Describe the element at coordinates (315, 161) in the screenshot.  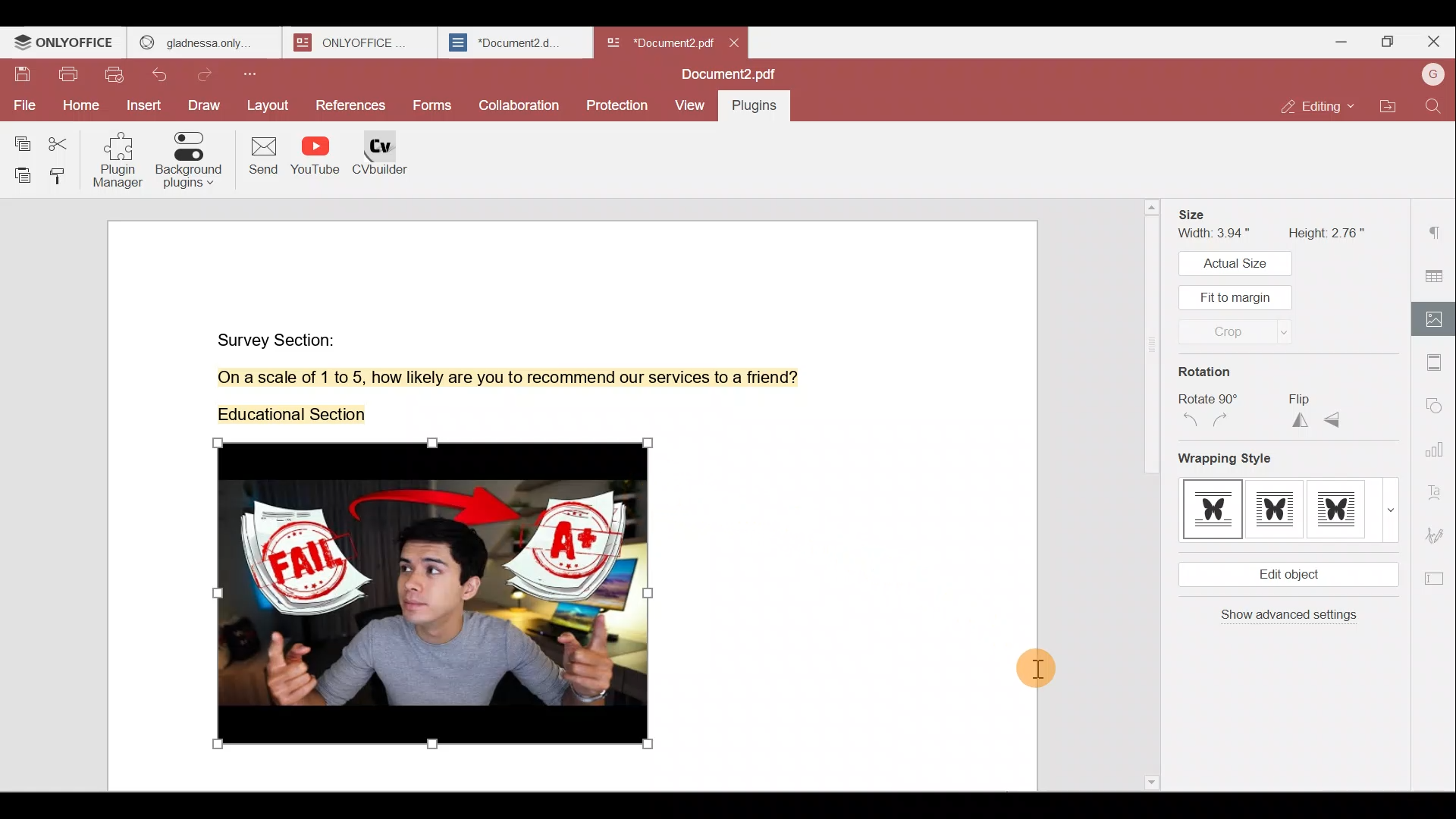
I see `YouTube` at that location.